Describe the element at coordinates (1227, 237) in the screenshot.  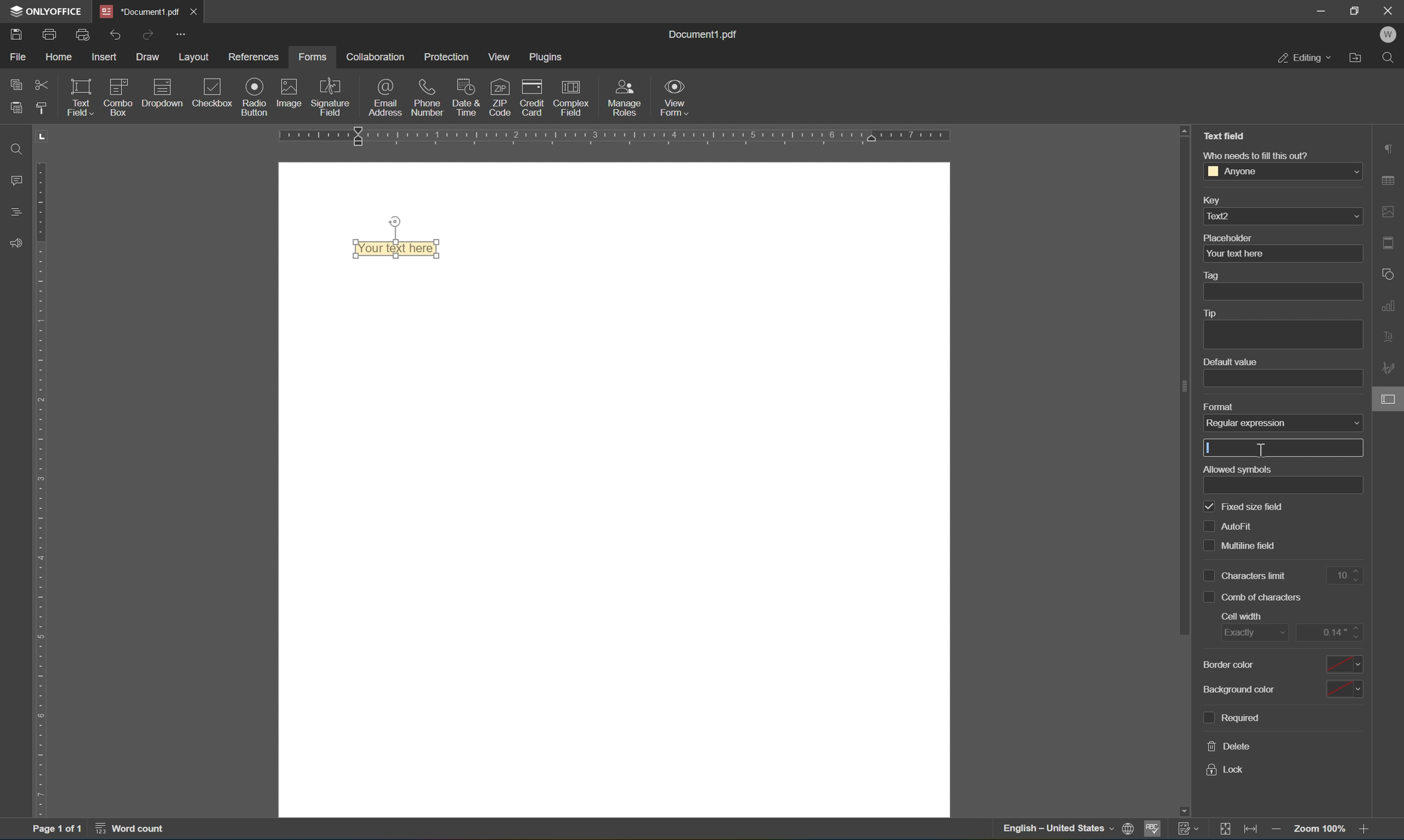
I see `placeholder` at that location.